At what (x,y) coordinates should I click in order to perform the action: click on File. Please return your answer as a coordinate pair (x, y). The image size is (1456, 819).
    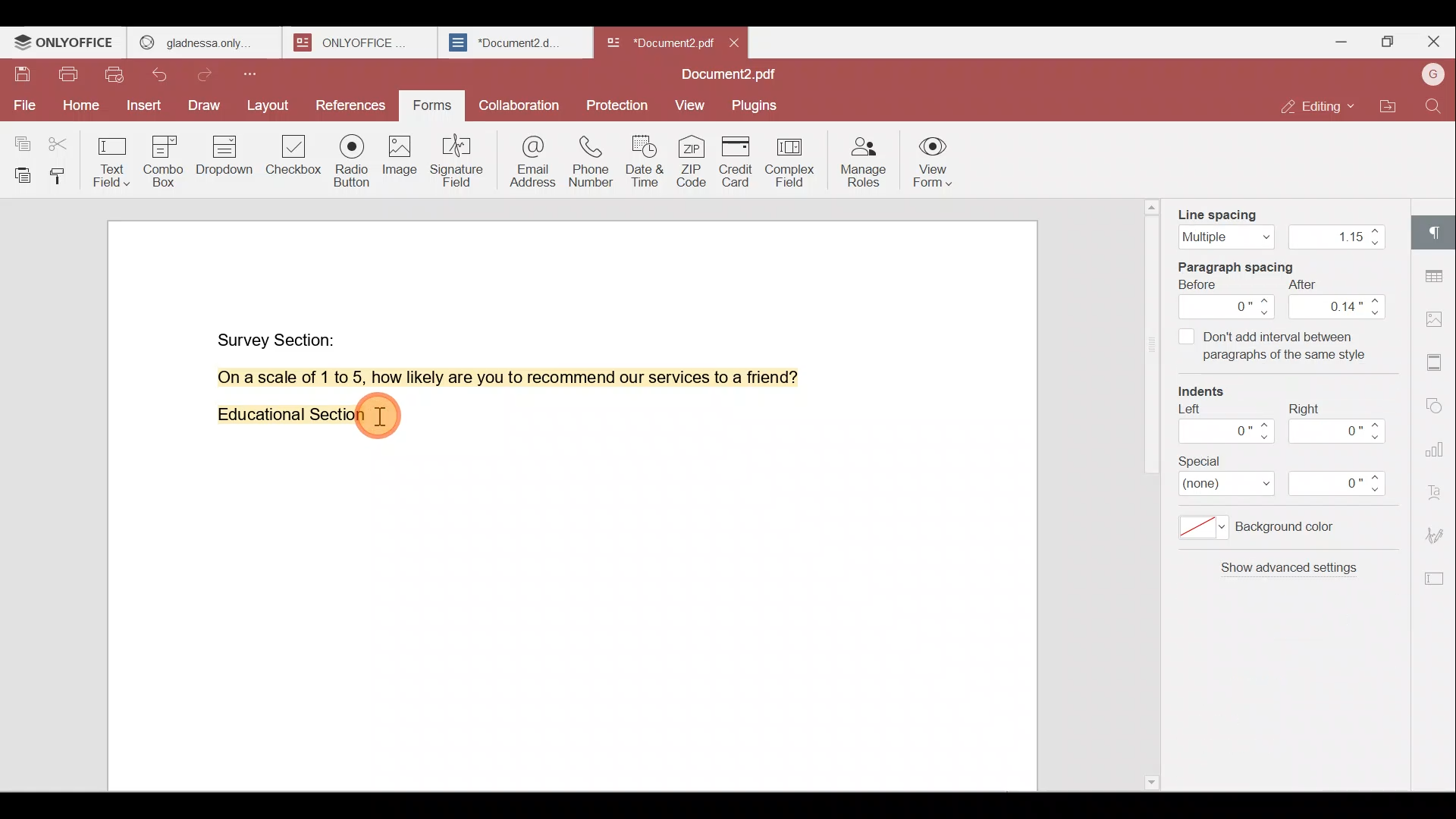
    Looking at the image, I should click on (23, 105).